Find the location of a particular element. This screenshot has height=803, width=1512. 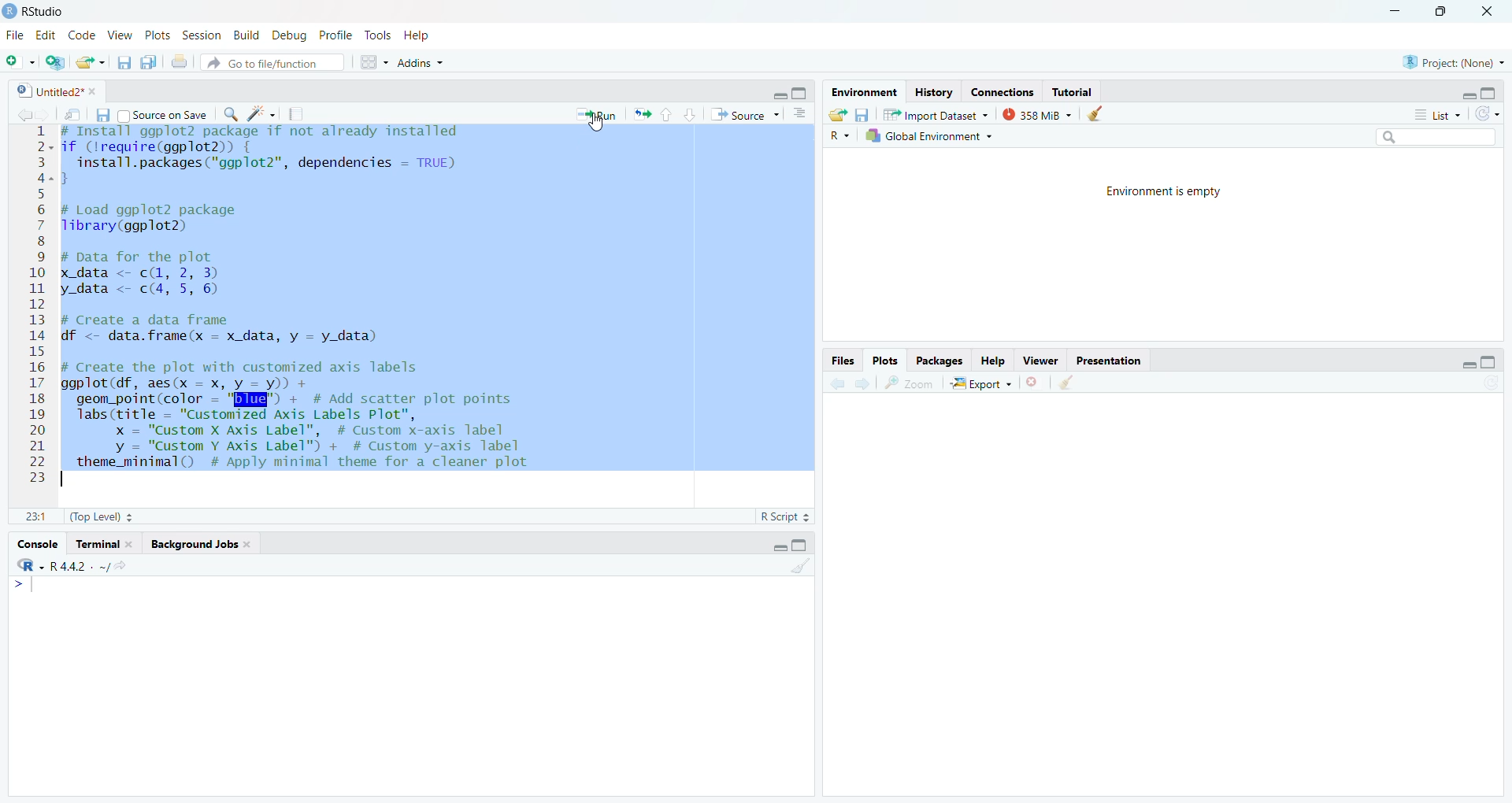

Background Jobs is located at coordinates (201, 545).